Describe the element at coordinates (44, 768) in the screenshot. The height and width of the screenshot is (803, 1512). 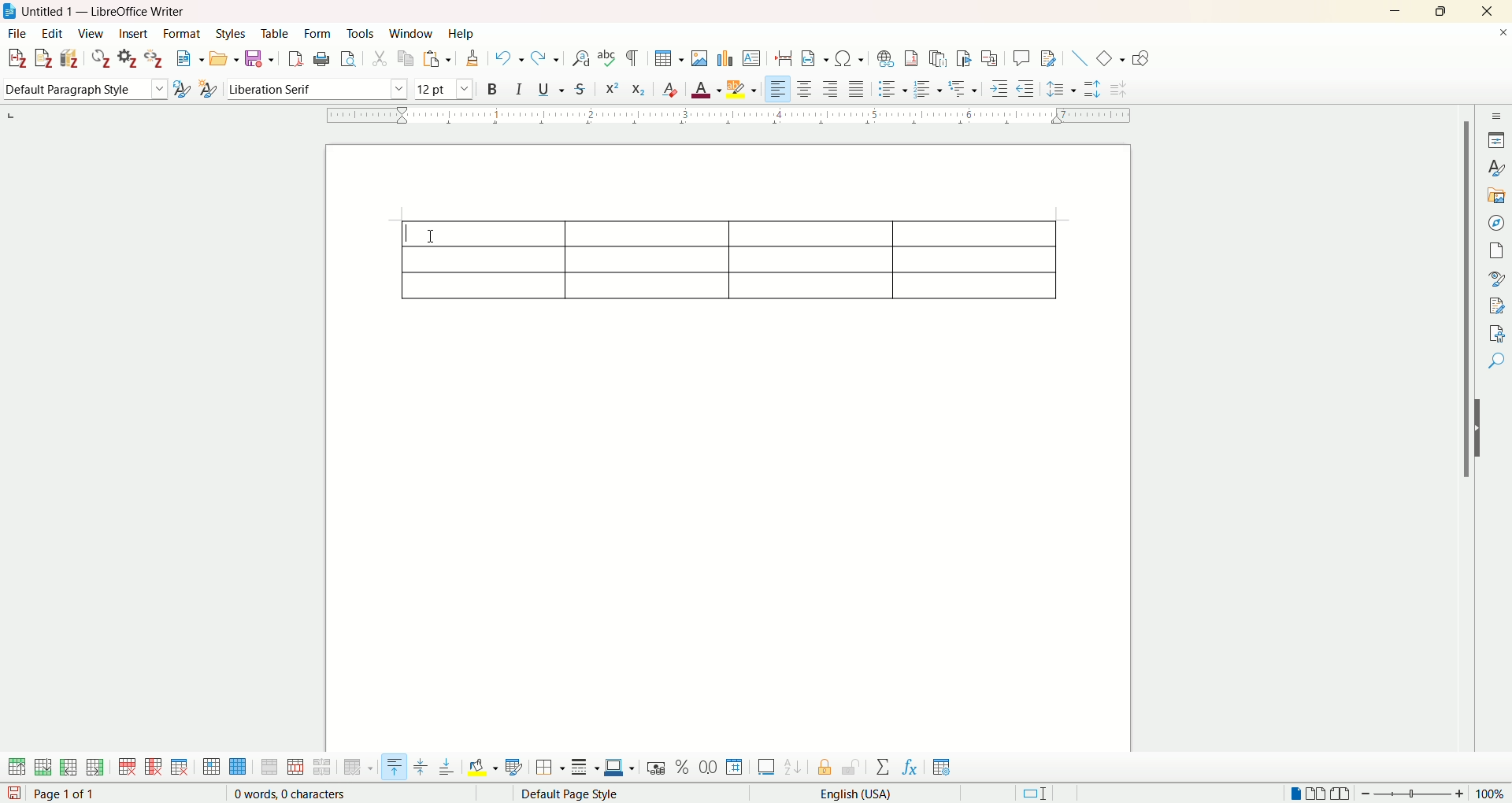
I see `insert row below` at that location.